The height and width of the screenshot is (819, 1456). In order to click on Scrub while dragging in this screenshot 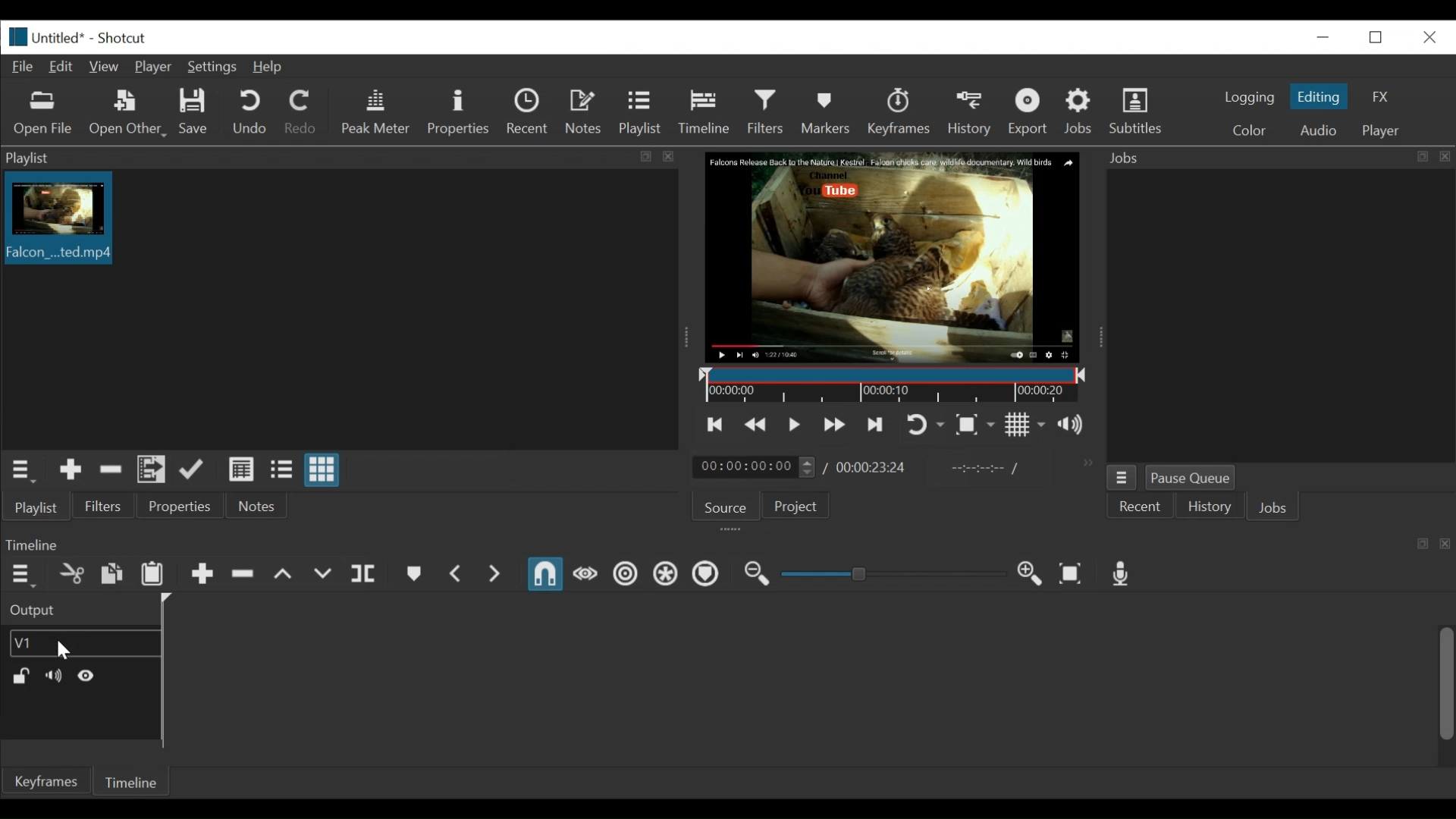, I will do `click(588, 576)`.